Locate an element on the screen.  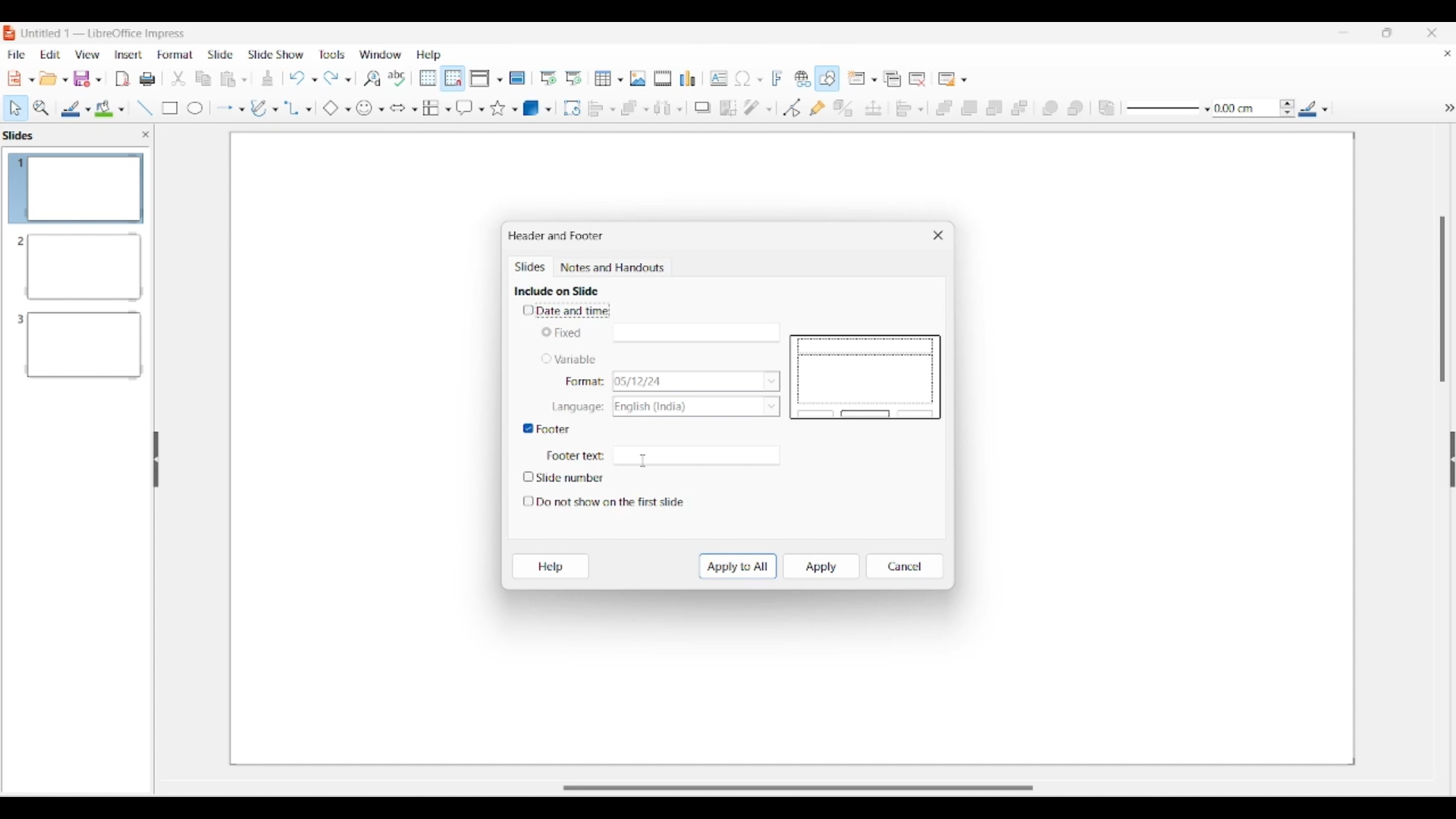
View menu is located at coordinates (88, 55).